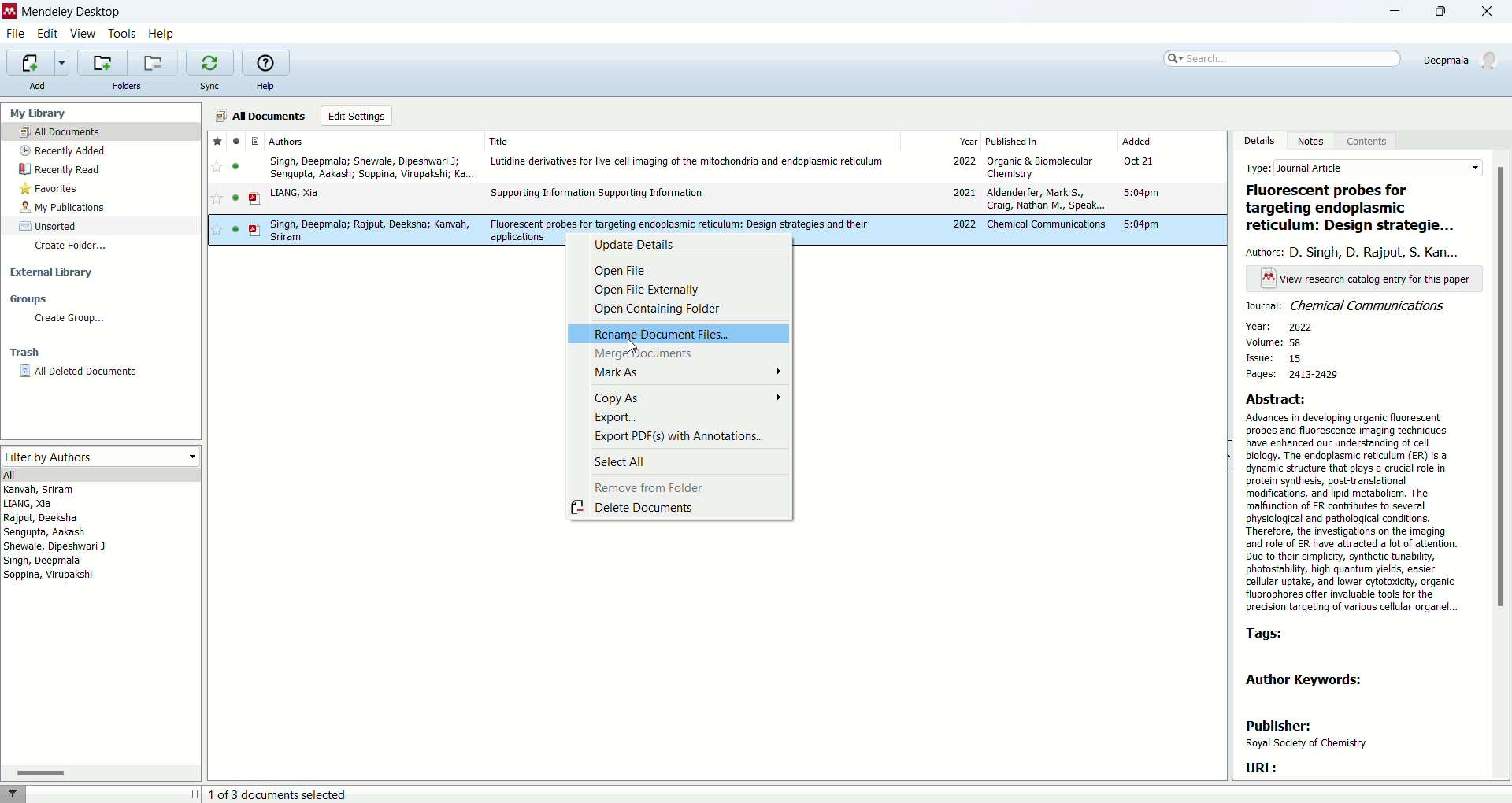 This screenshot has width=1512, height=803. Describe the element at coordinates (101, 474) in the screenshot. I see `all` at that location.